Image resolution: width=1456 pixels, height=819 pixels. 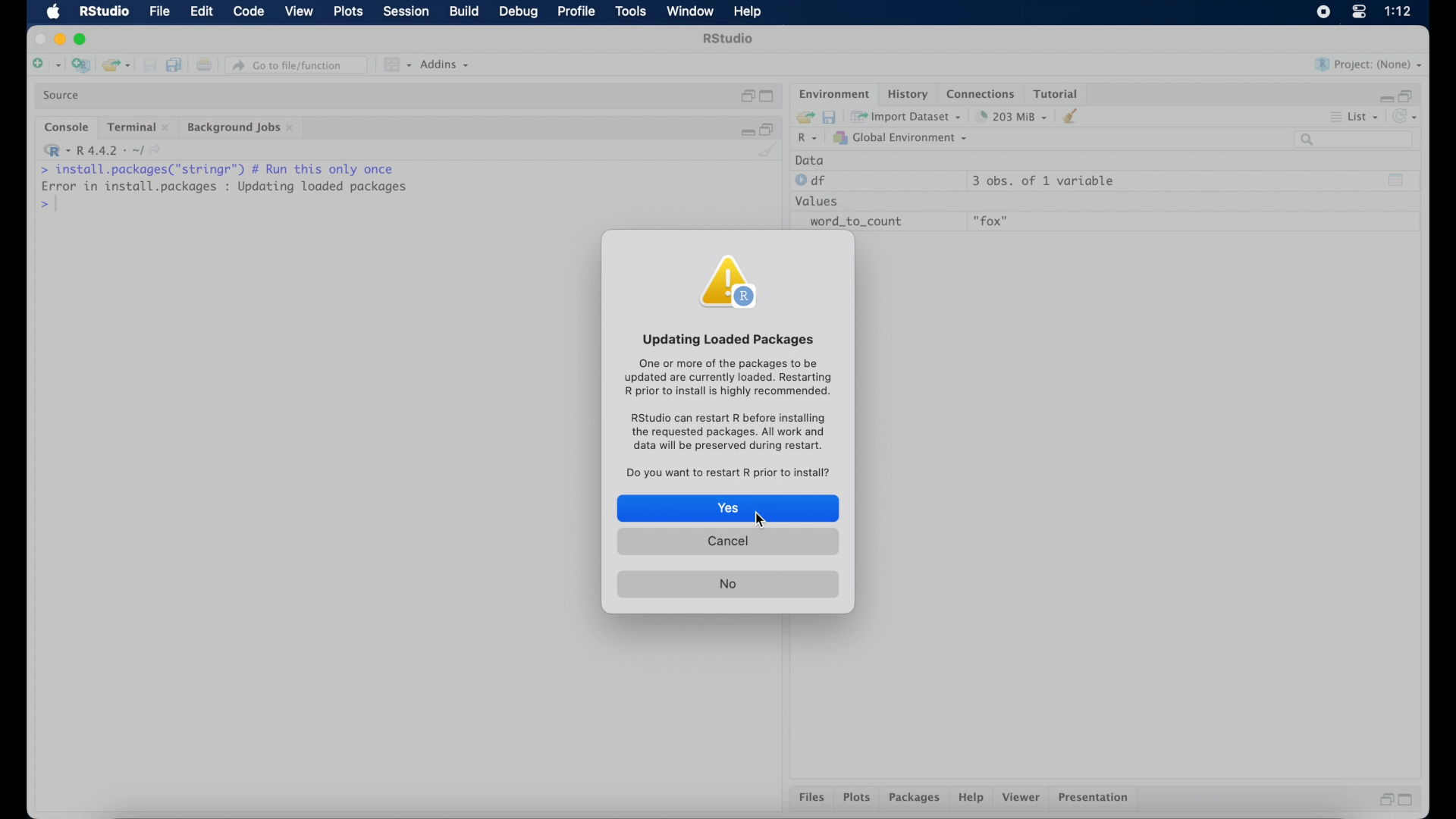 I want to click on view in pane, so click(x=396, y=65).